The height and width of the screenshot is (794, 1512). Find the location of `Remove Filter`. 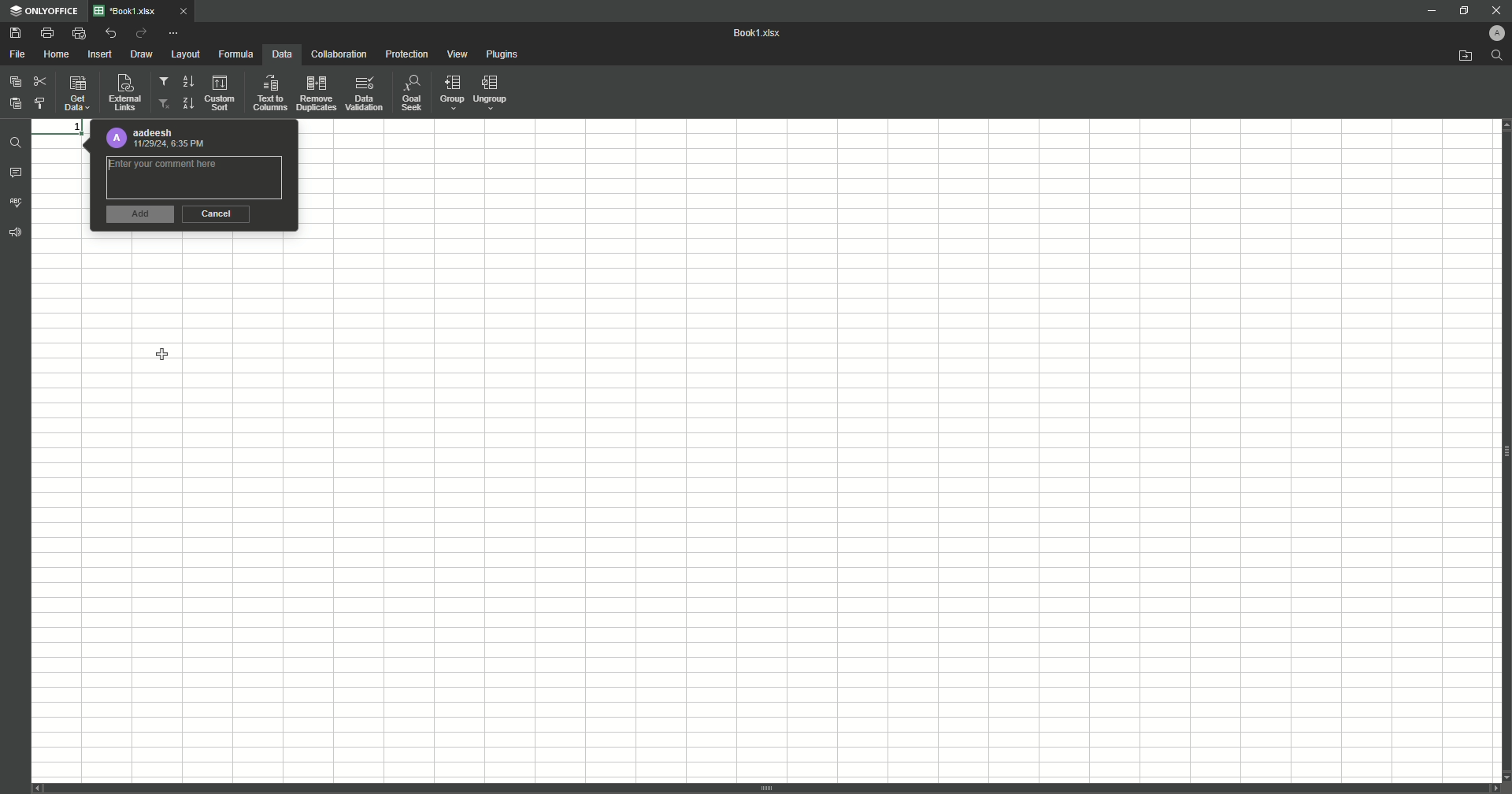

Remove Filter is located at coordinates (165, 104).